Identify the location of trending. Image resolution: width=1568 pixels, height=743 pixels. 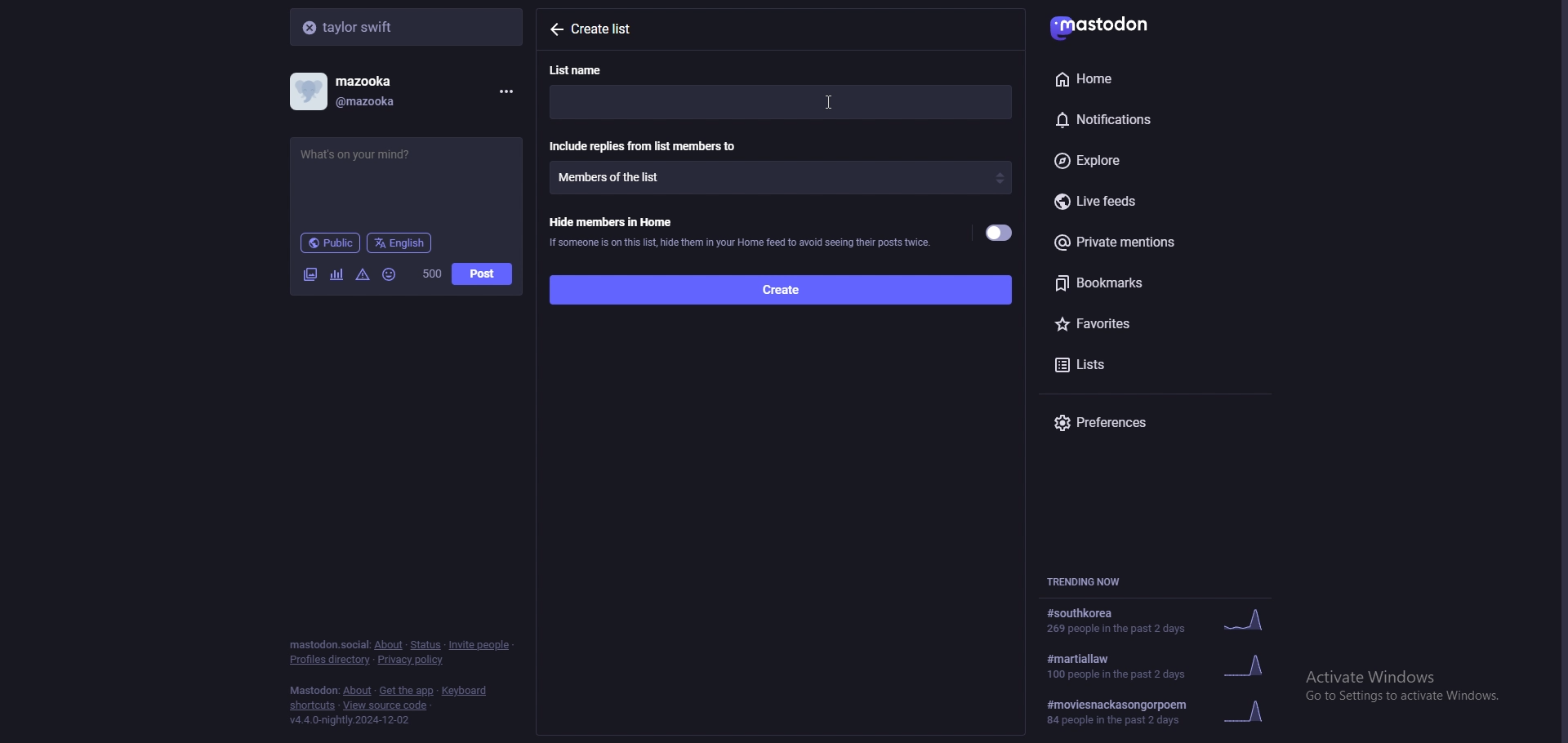
(1168, 665).